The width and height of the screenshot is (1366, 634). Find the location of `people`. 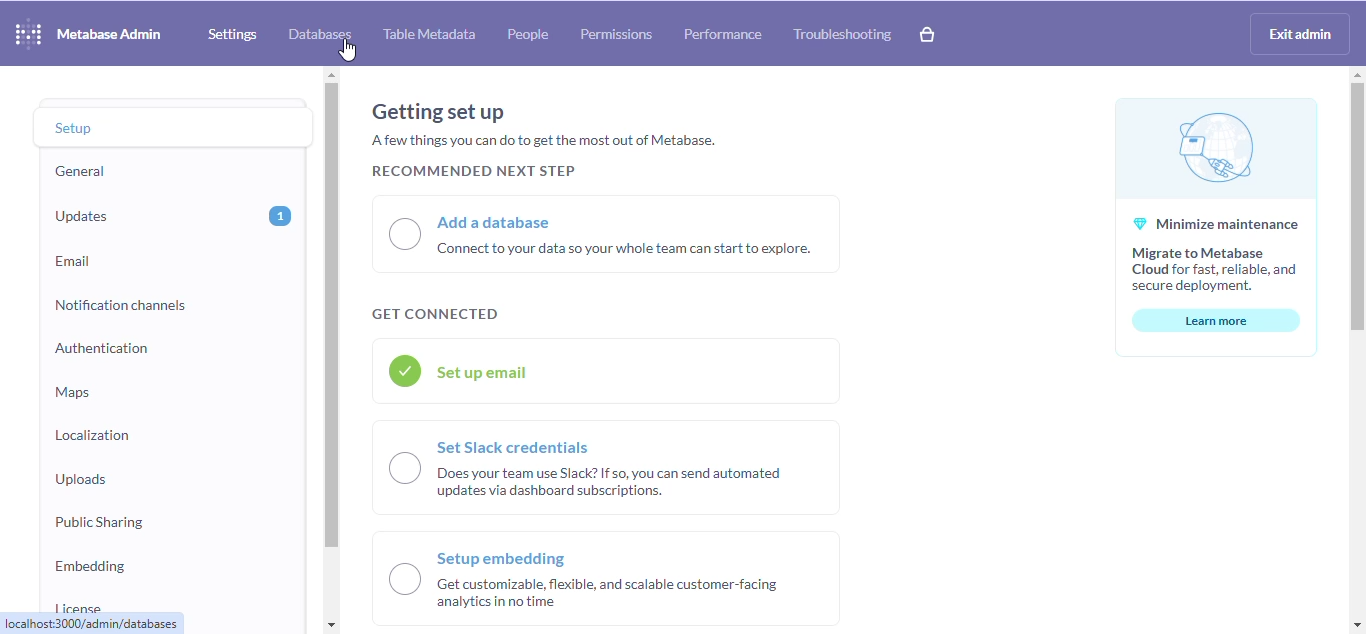

people is located at coordinates (528, 34).